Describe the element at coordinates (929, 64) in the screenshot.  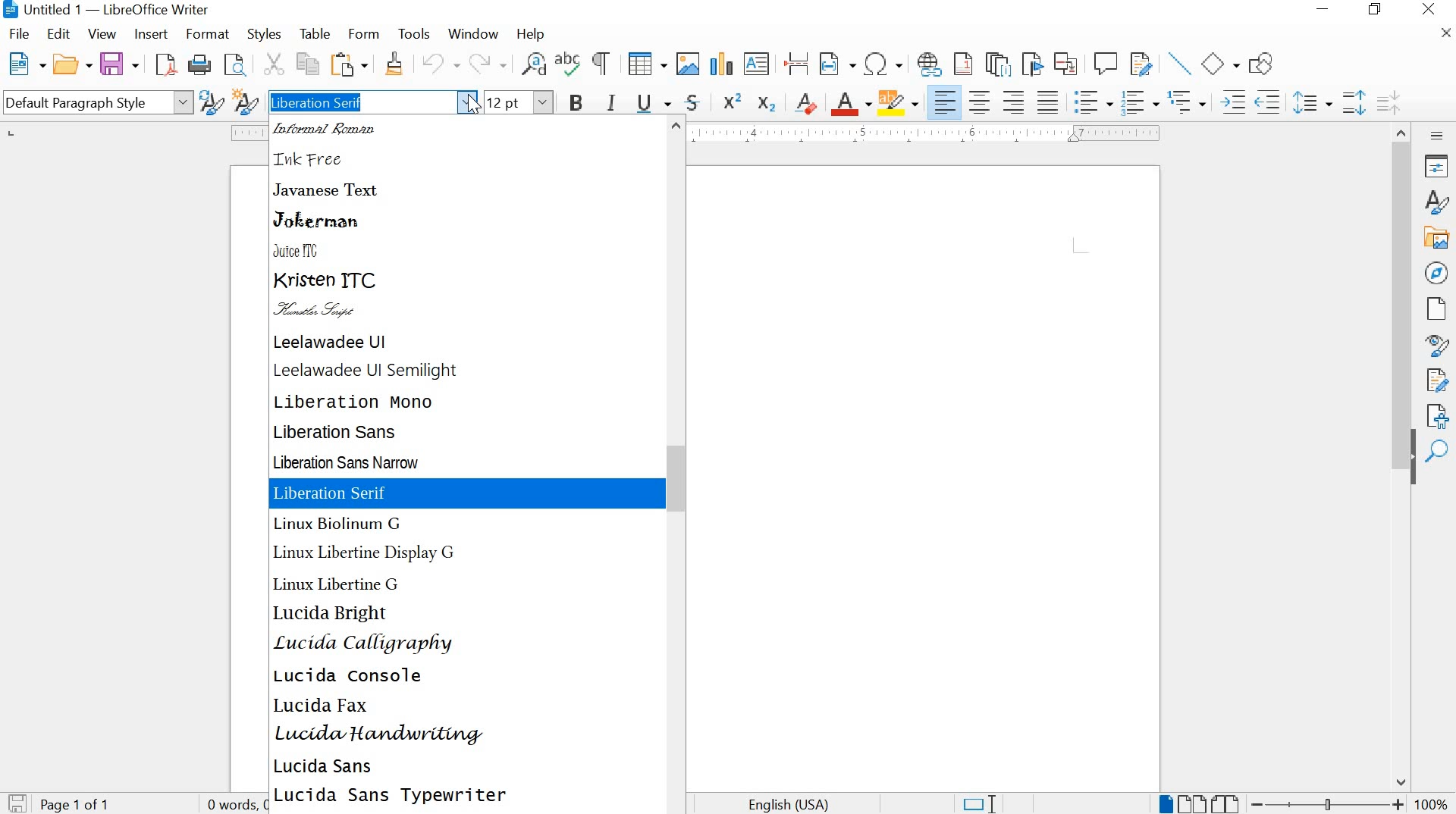
I see `INSERT HYPERLINK` at that location.